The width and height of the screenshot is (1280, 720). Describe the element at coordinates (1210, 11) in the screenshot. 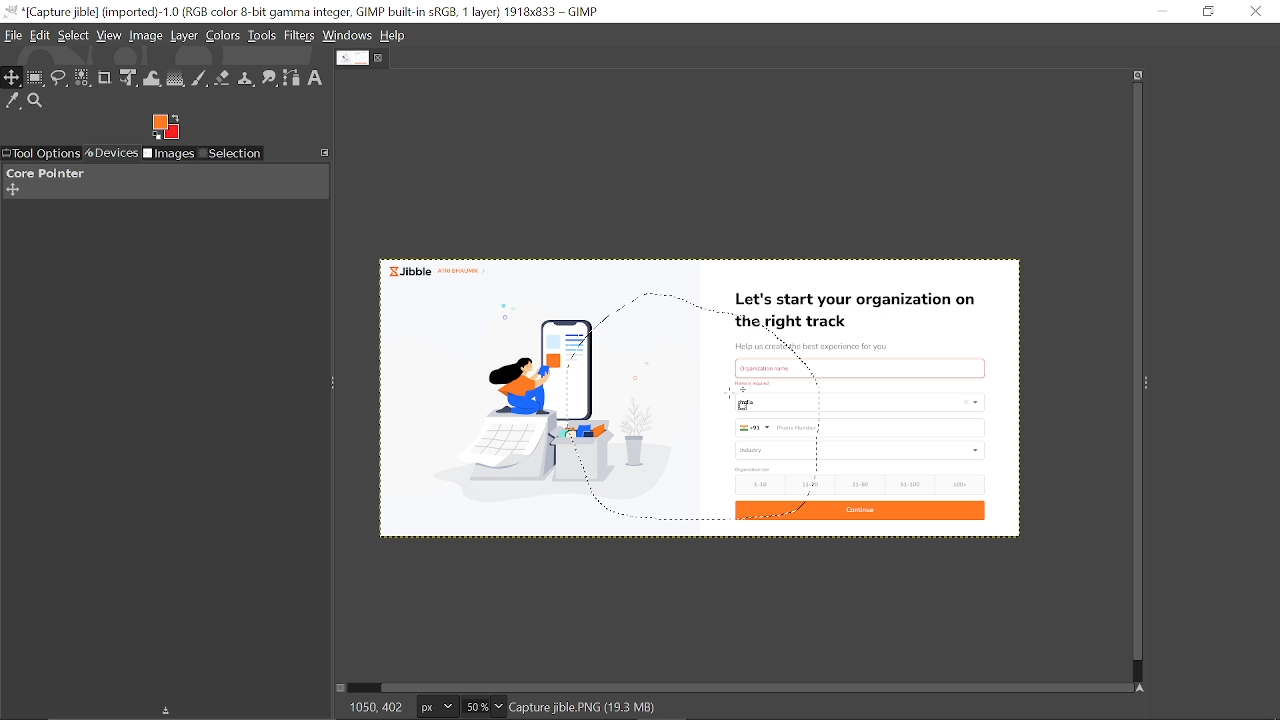

I see `Restore down` at that location.